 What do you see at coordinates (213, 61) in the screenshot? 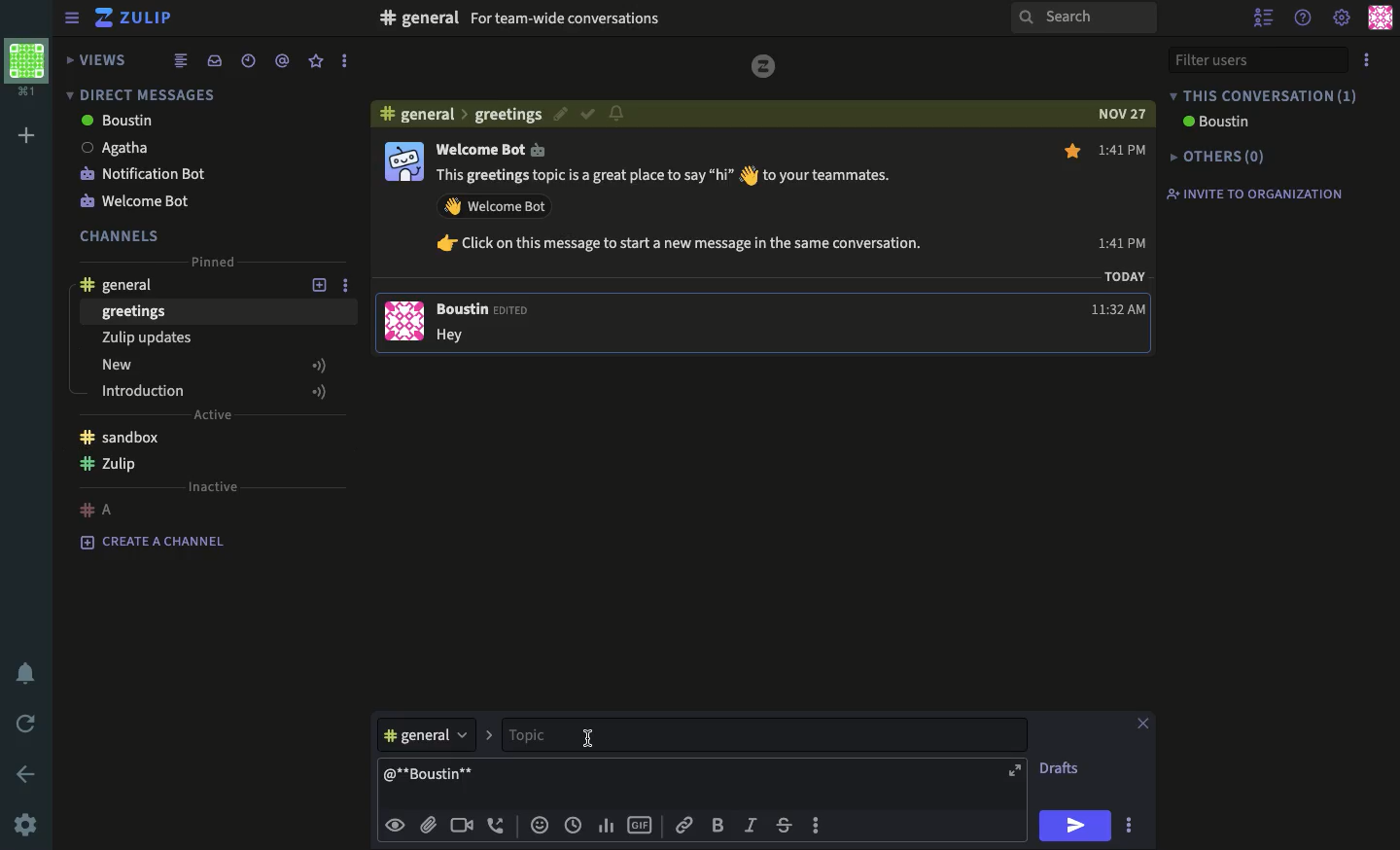
I see `inbox` at bounding box center [213, 61].